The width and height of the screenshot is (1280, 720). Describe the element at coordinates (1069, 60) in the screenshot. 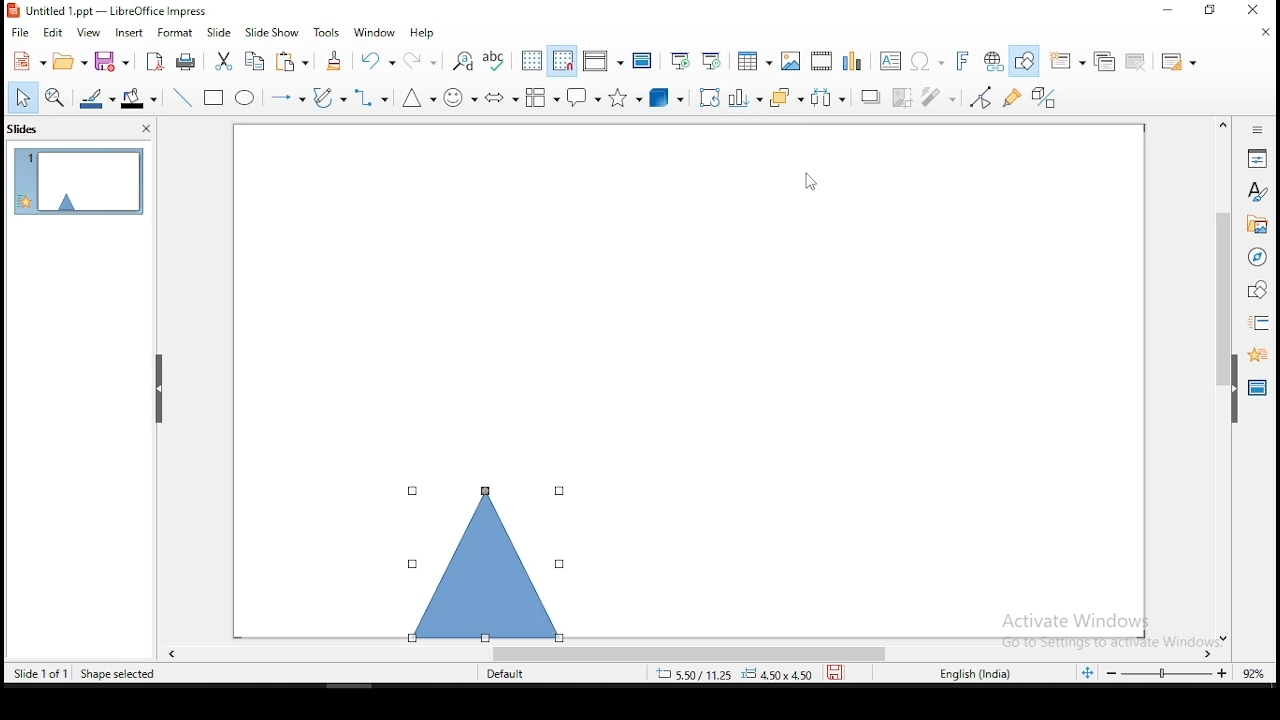

I see `new slide` at that location.